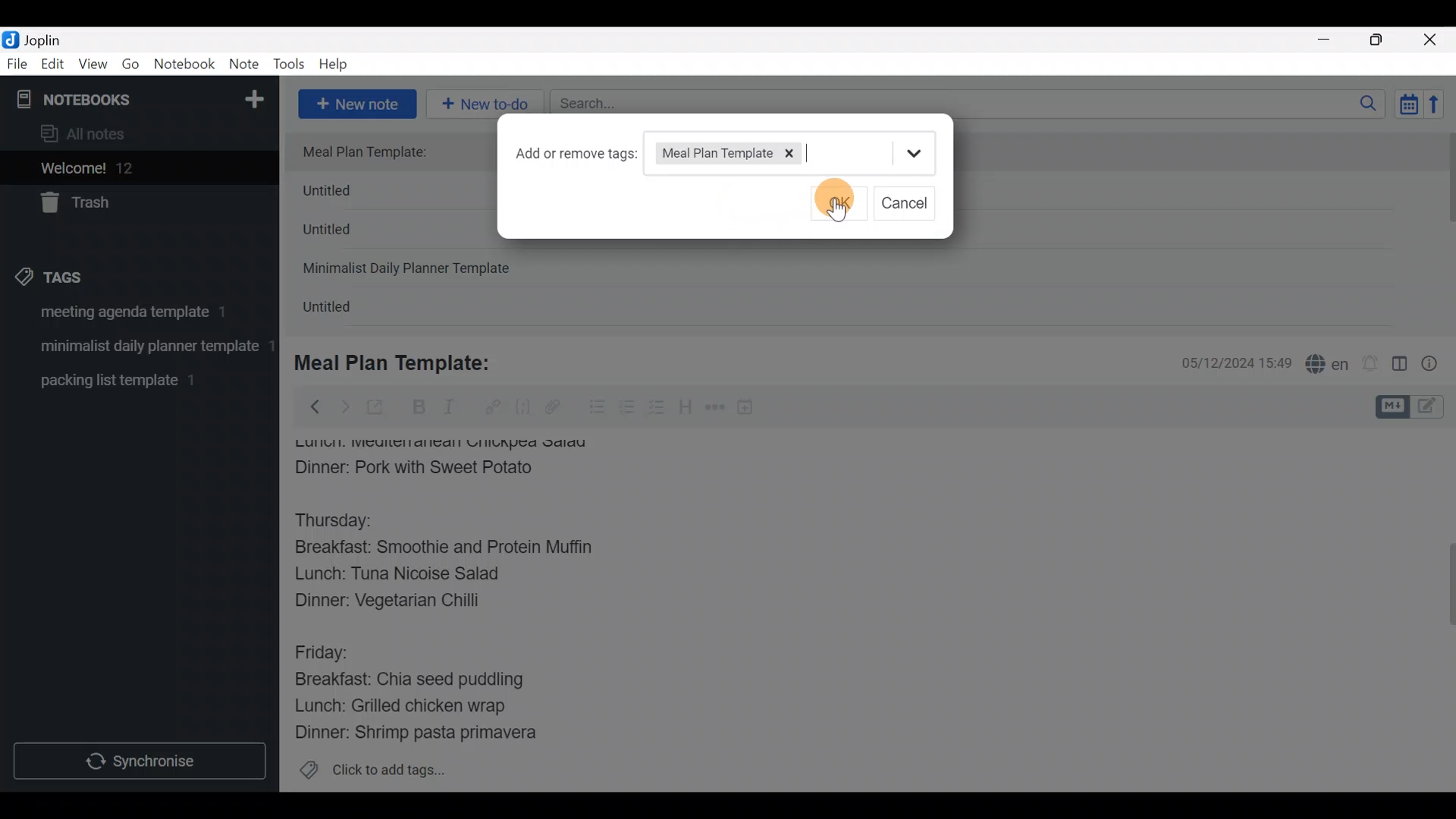  I want to click on Close, so click(1432, 41).